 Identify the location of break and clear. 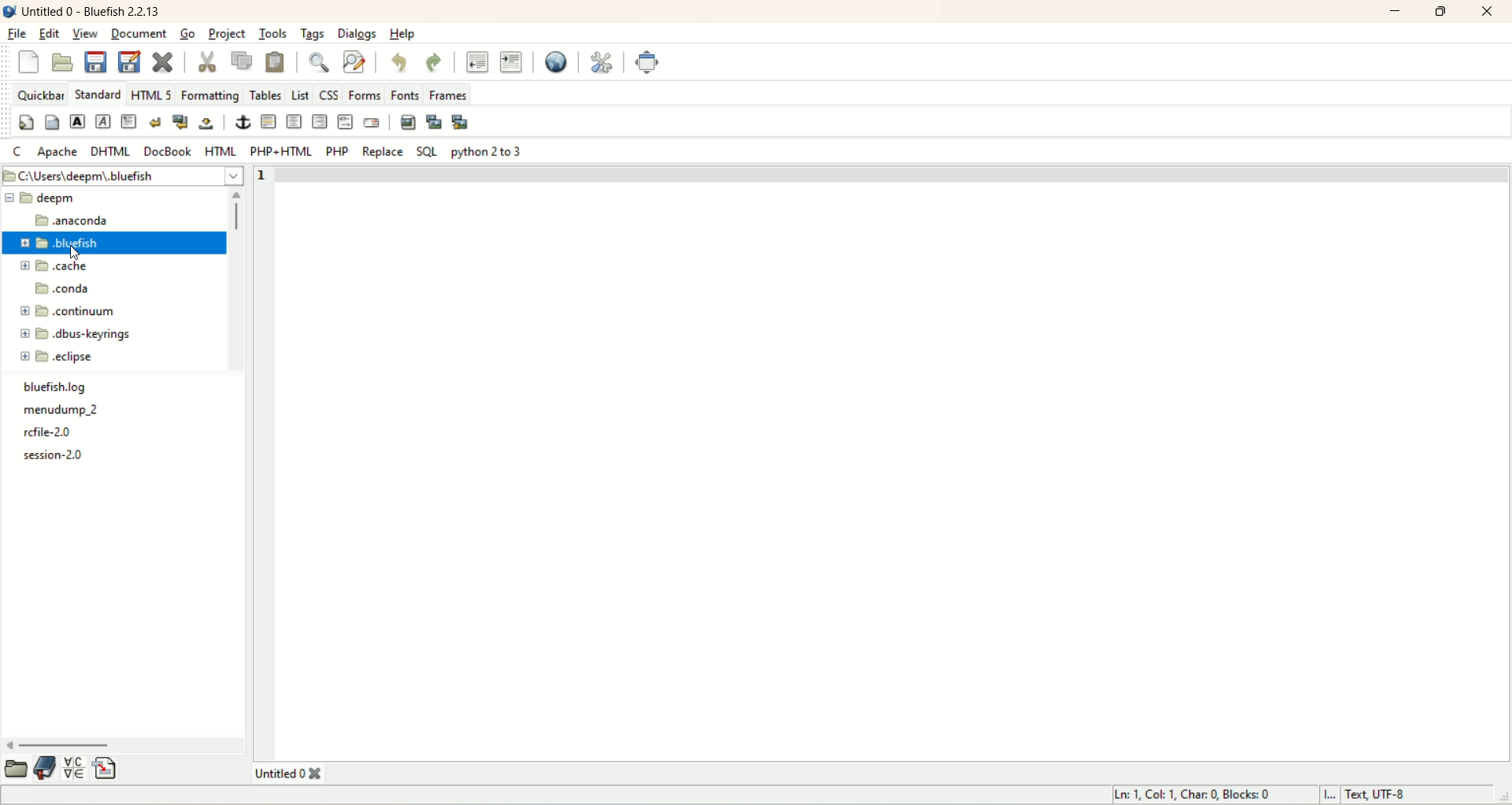
(182, 122).